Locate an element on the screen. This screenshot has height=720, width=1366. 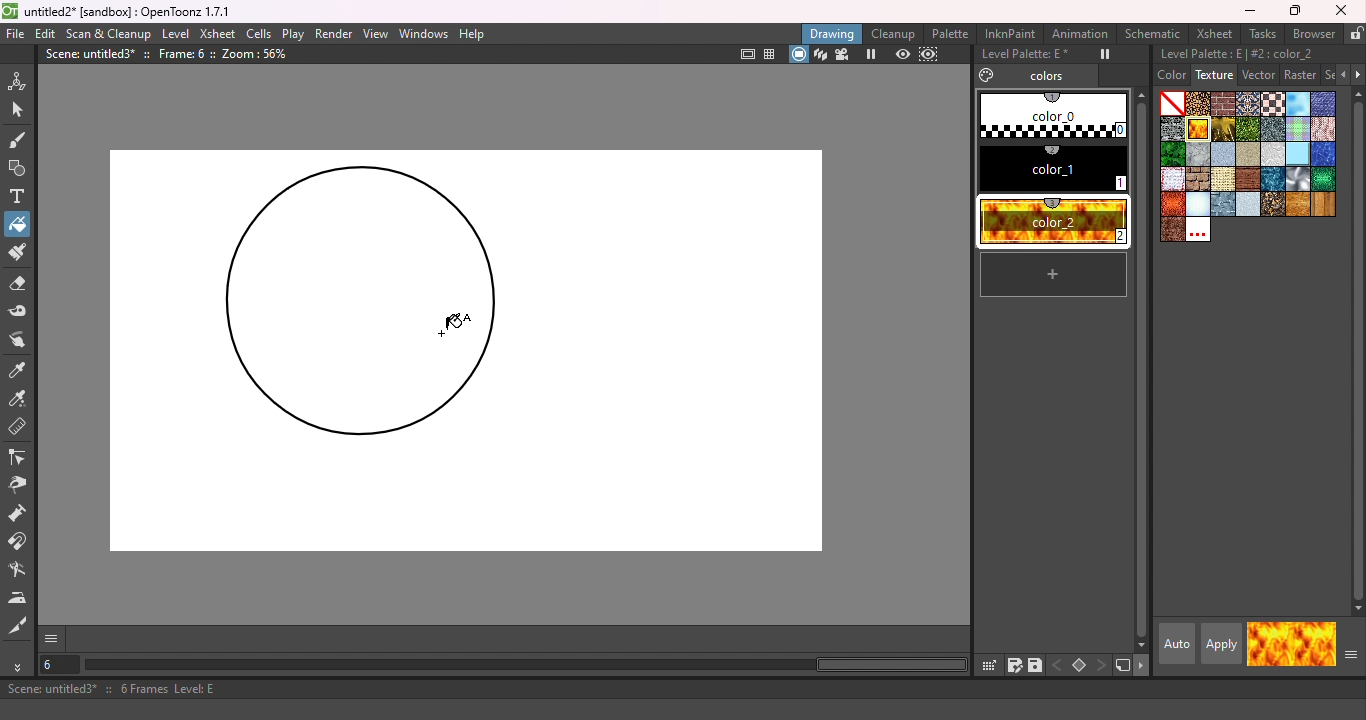
snakeskinred.bmp is located at coordinates (1172, 205).